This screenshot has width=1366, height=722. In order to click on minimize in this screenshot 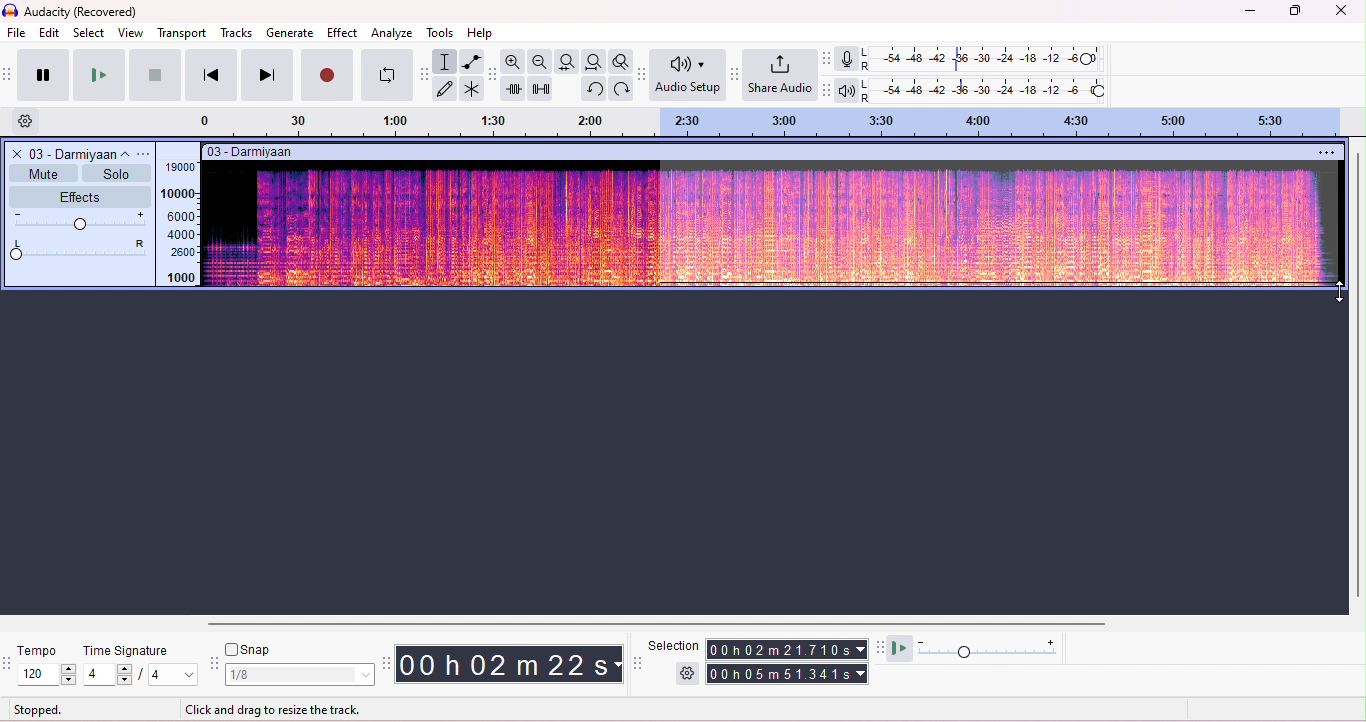, I will do `click(1247, 13)`.